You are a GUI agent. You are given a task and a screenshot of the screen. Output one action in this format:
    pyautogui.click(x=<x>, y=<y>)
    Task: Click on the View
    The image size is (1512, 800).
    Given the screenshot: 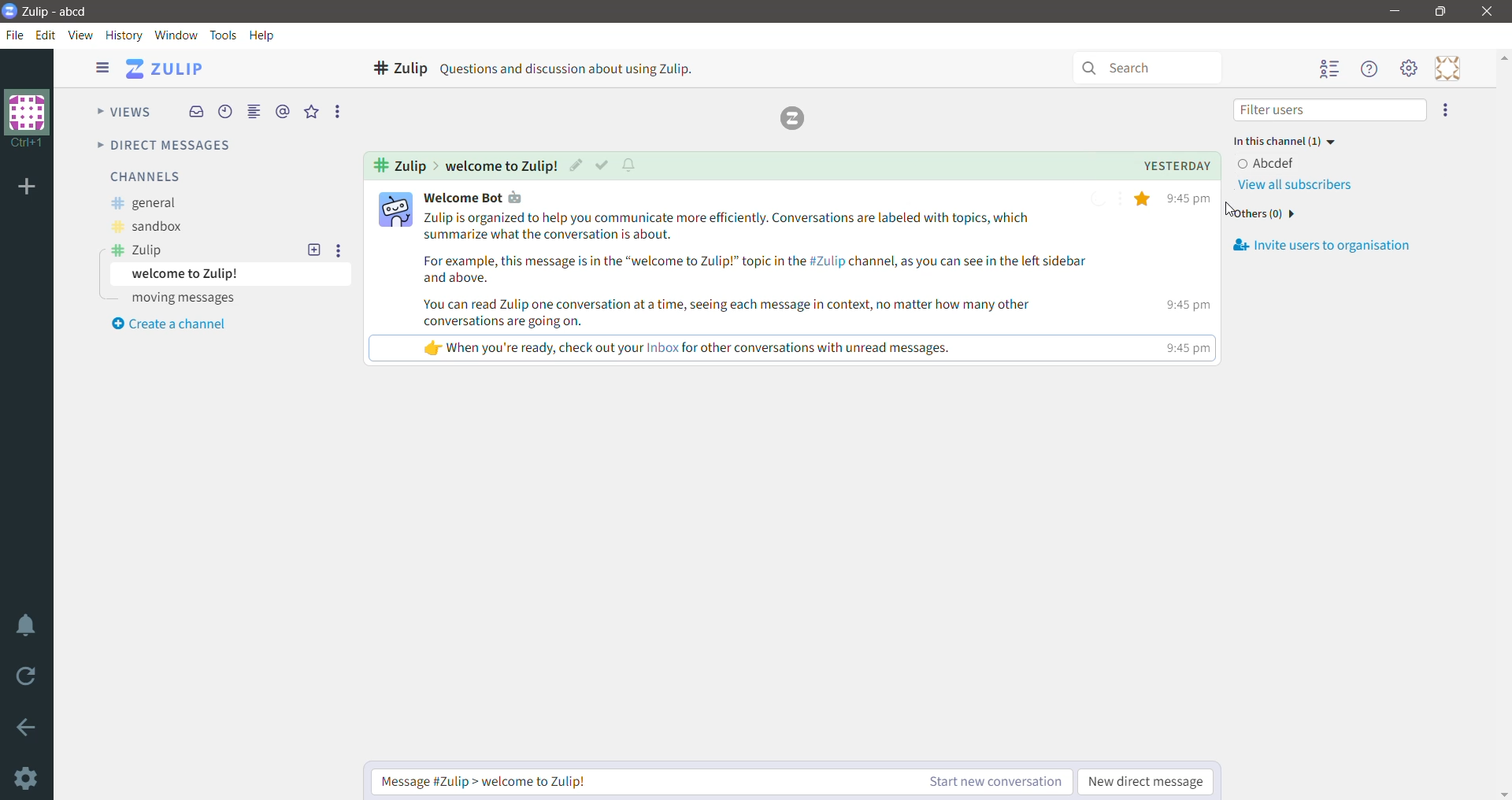 What is the action you would take?
    pyautogui.click(x=81, y=35)
    